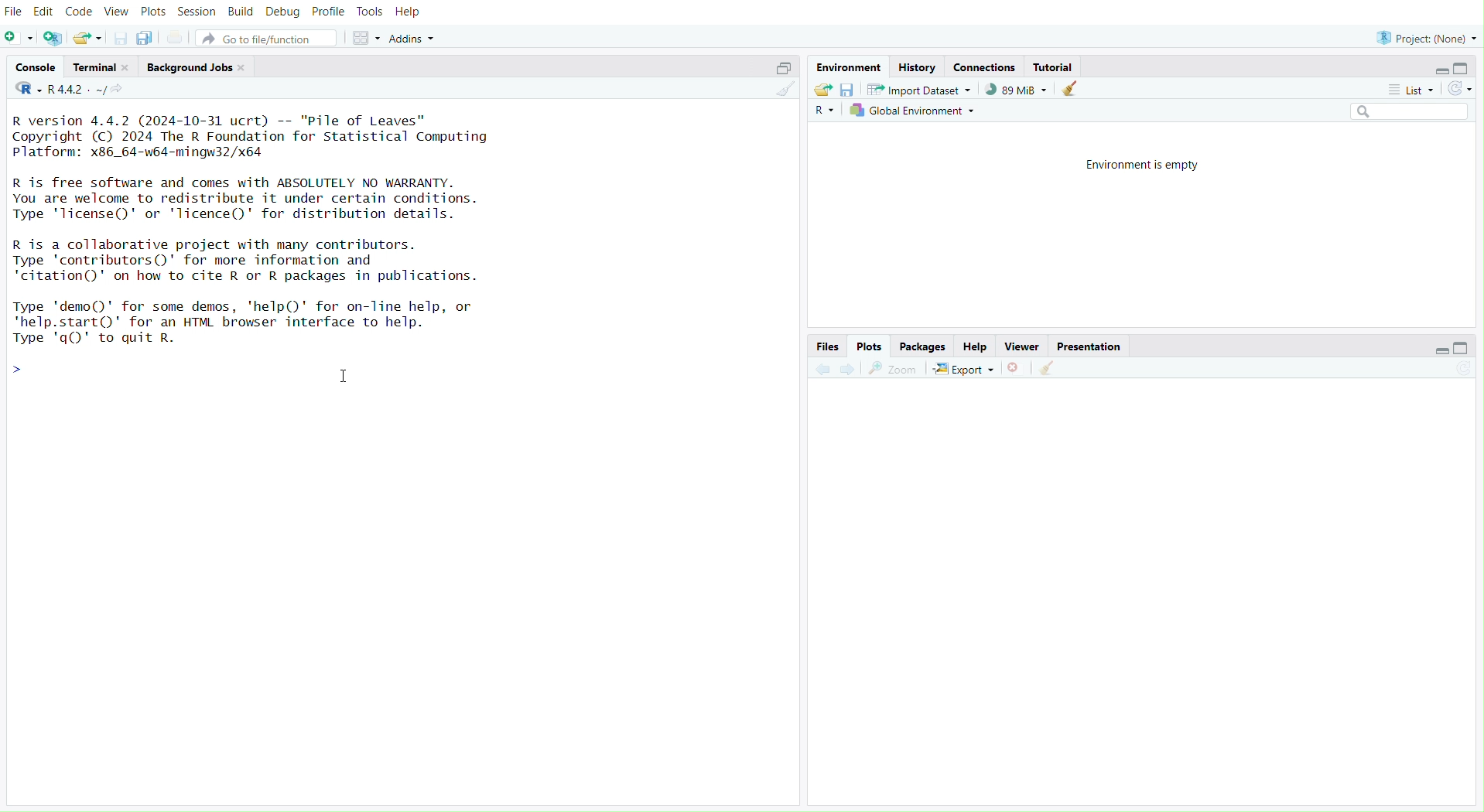  Describe the element at coordinates (173, 37) in the screenshot. I see `Print the current file` at that location.